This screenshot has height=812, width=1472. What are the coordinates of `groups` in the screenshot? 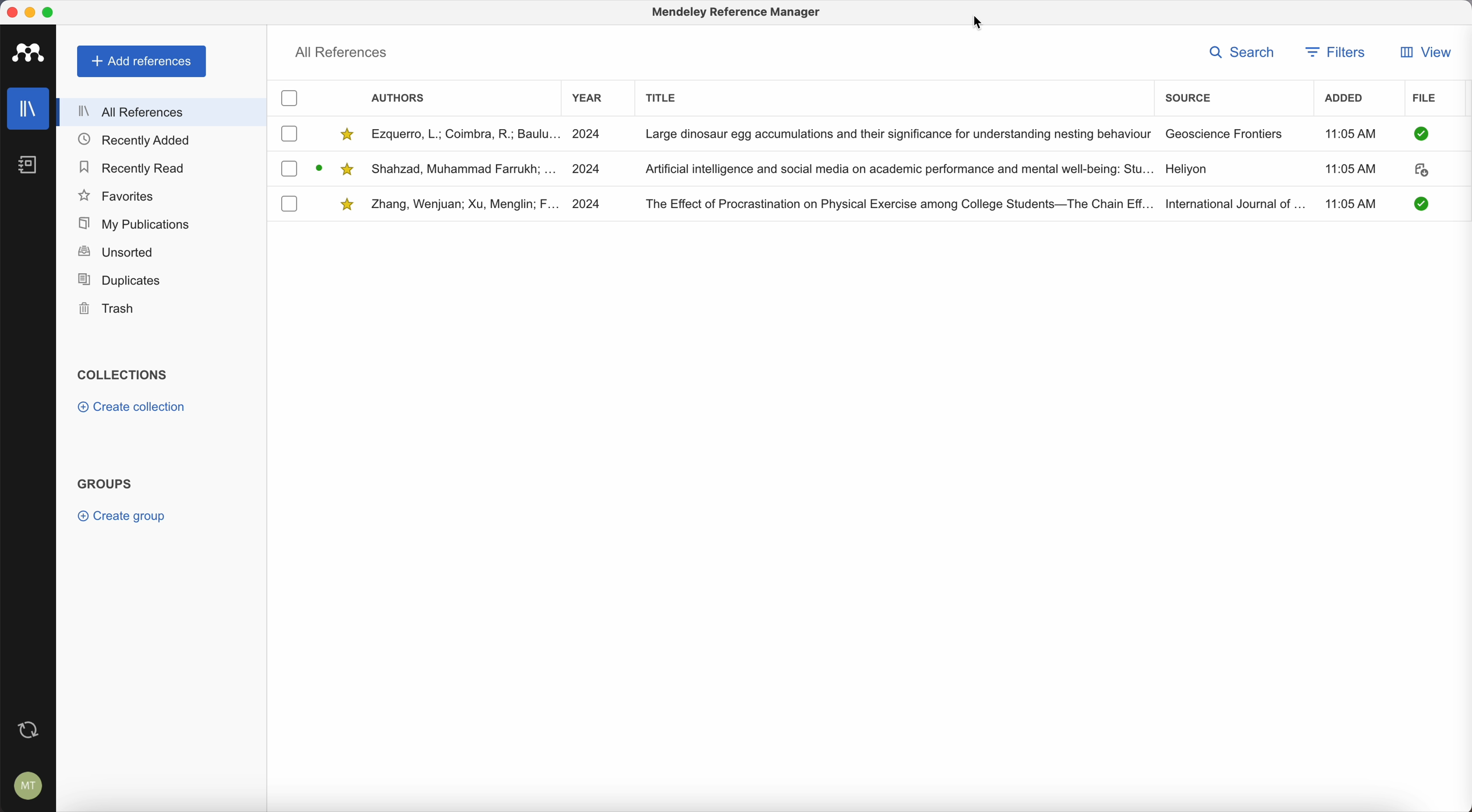 It's located at (105, 482).